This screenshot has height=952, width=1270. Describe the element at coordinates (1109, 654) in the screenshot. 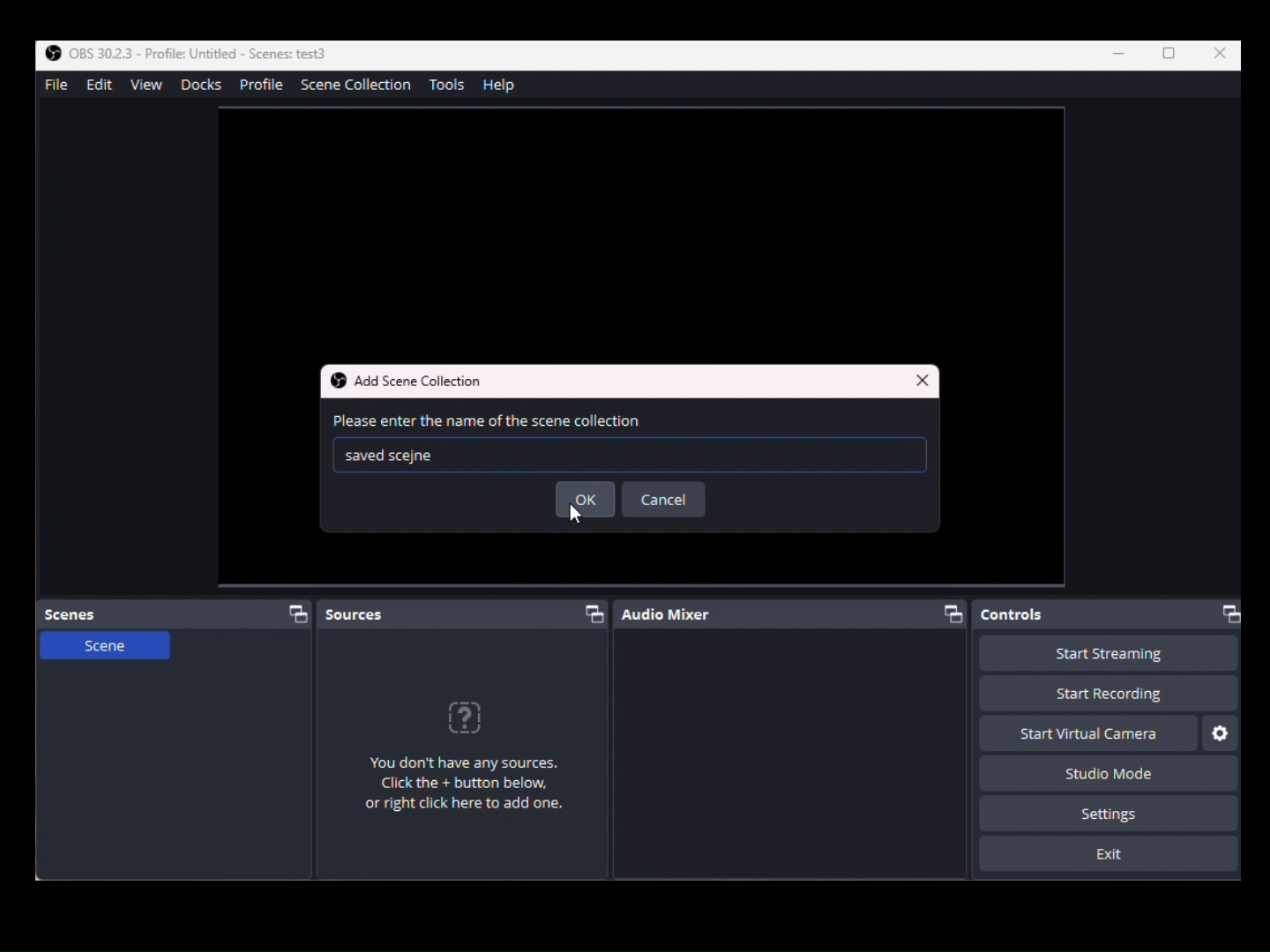

I see `Start Recording` at that location.